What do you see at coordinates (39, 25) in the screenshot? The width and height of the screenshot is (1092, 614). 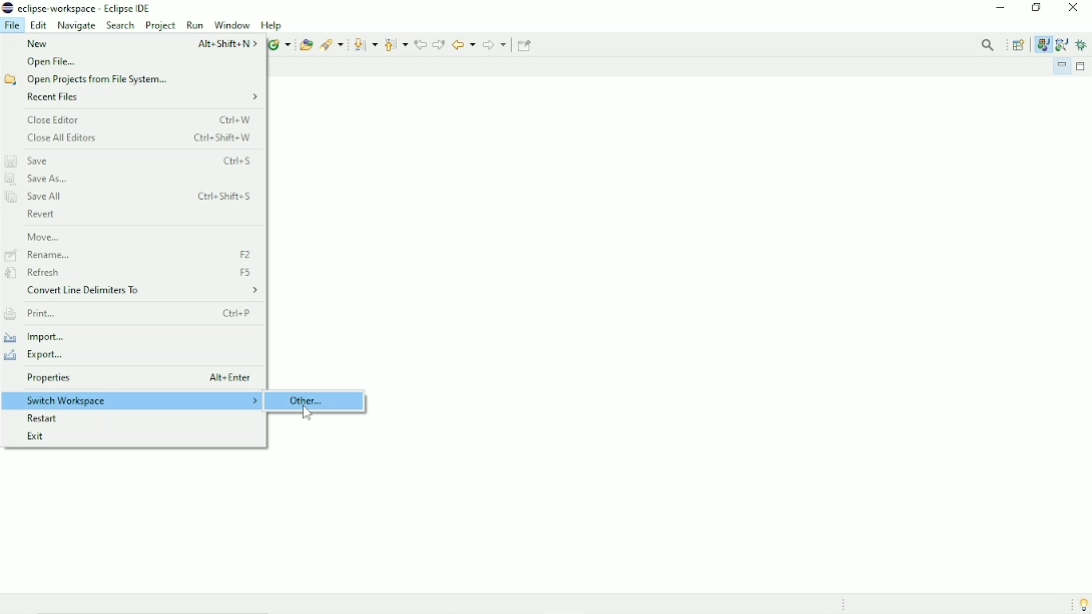 I see `Edit` at bounding box center [39, 25].